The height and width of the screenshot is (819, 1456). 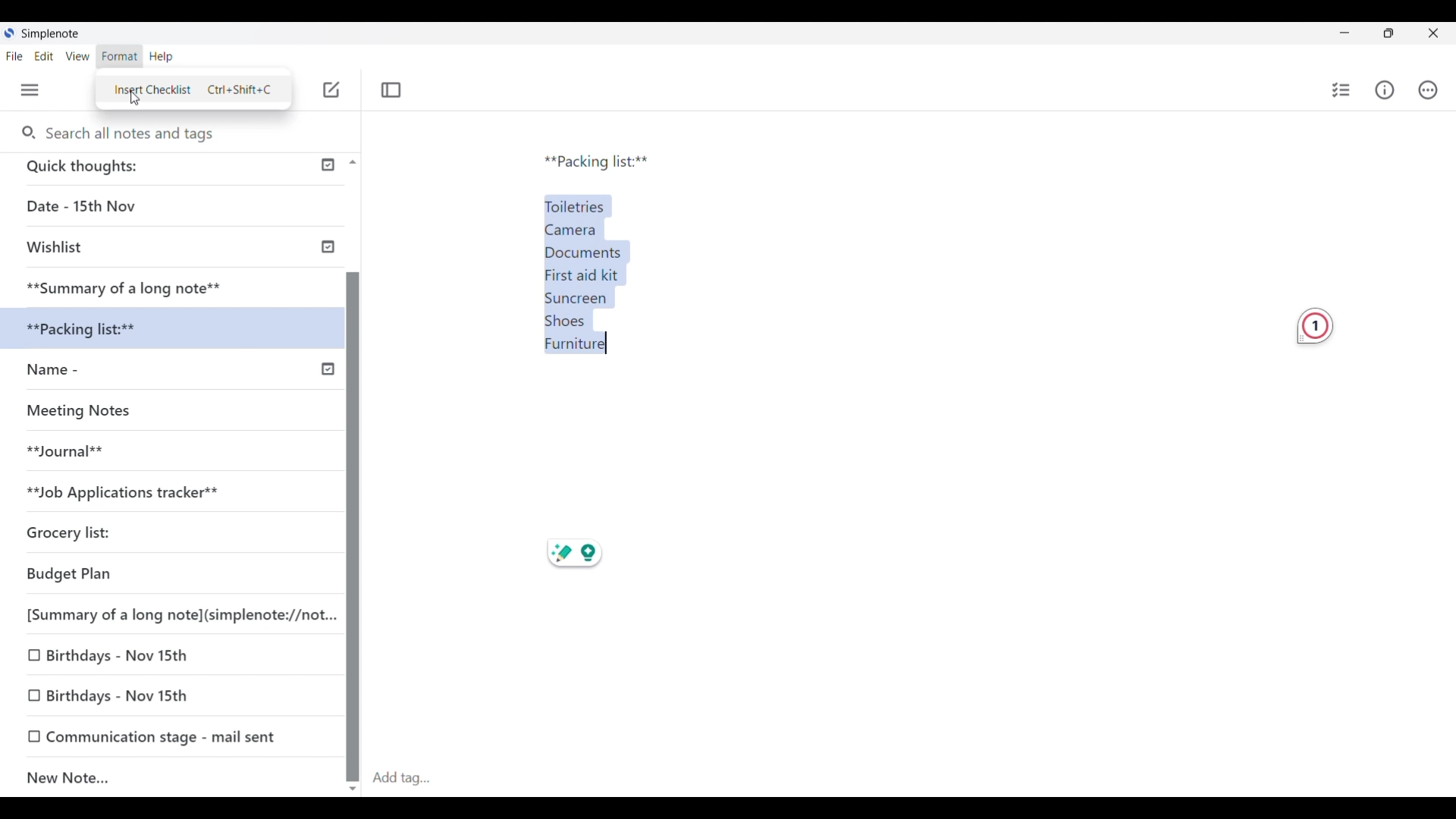 What do you see at coordinates (597, 269) in the screenshot?
I see `Text selected` at bounding box center [597, 269].